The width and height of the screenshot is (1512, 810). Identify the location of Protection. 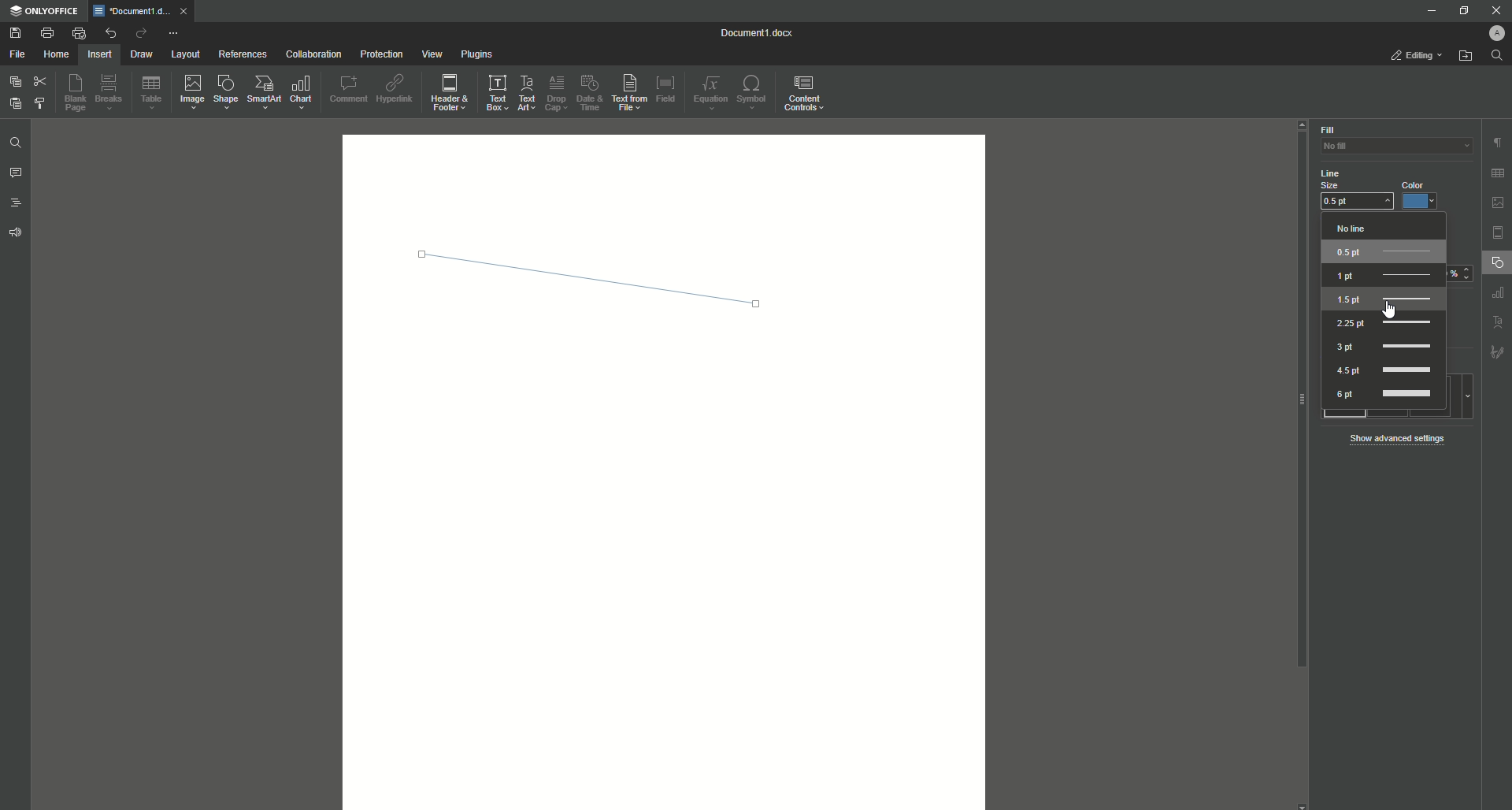
(380, 54).